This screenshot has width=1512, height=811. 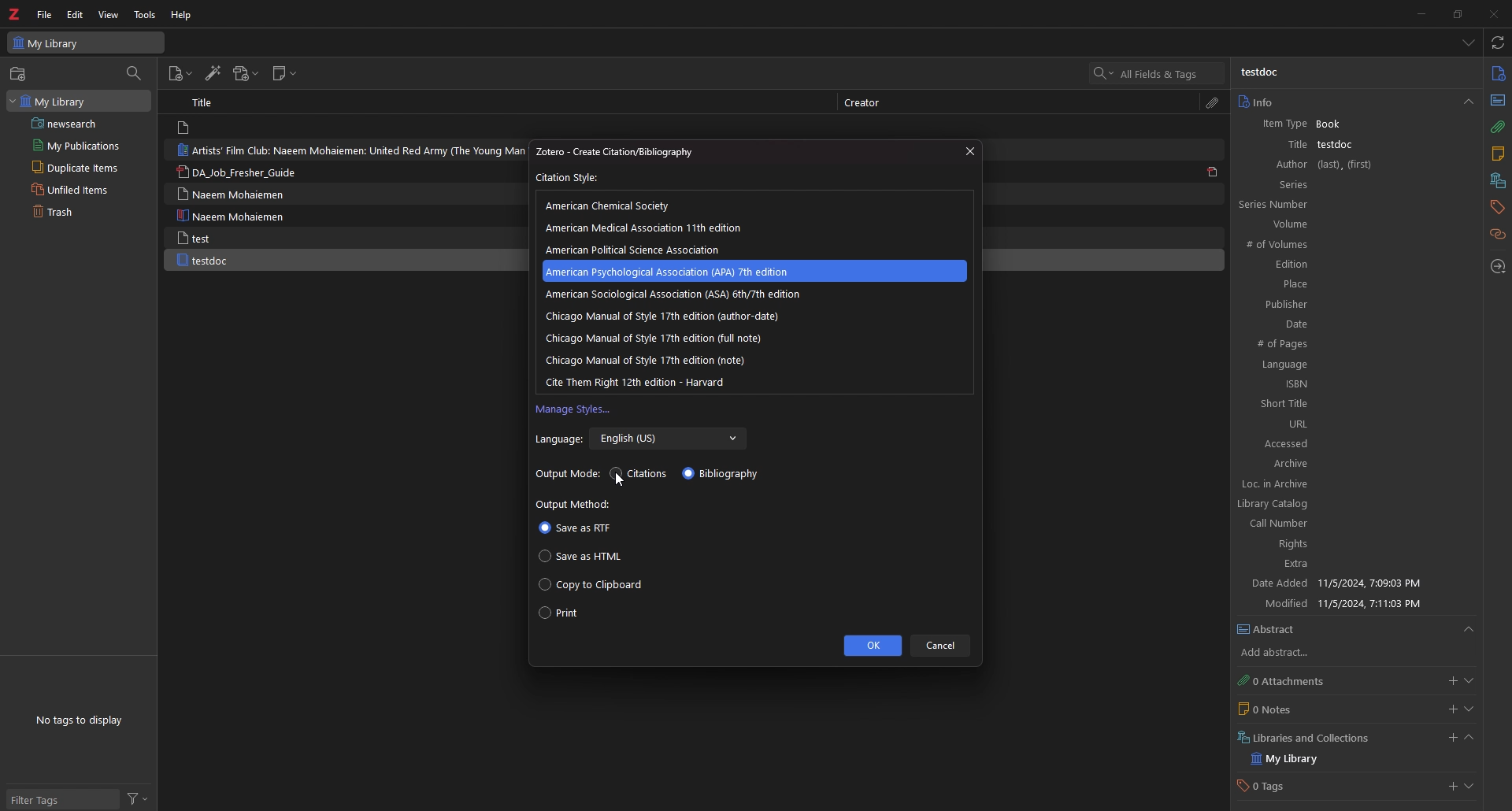 I want to click on locate, so click(x=1499, y=268).